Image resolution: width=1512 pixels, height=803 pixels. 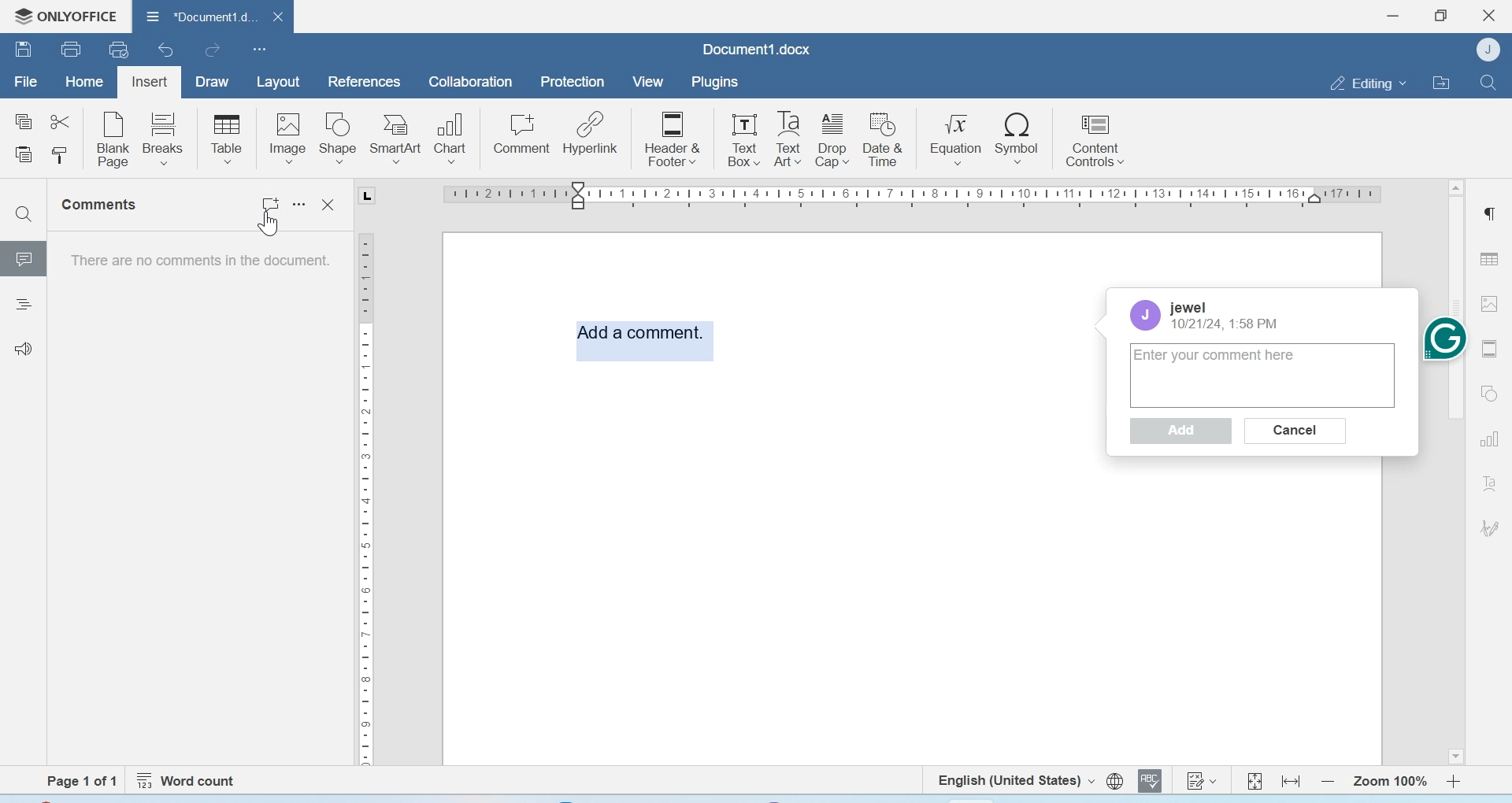 What do you see at coordinates (119, 49) in the screenshot?
I see `Quick print` at bounding box center [119, 49].